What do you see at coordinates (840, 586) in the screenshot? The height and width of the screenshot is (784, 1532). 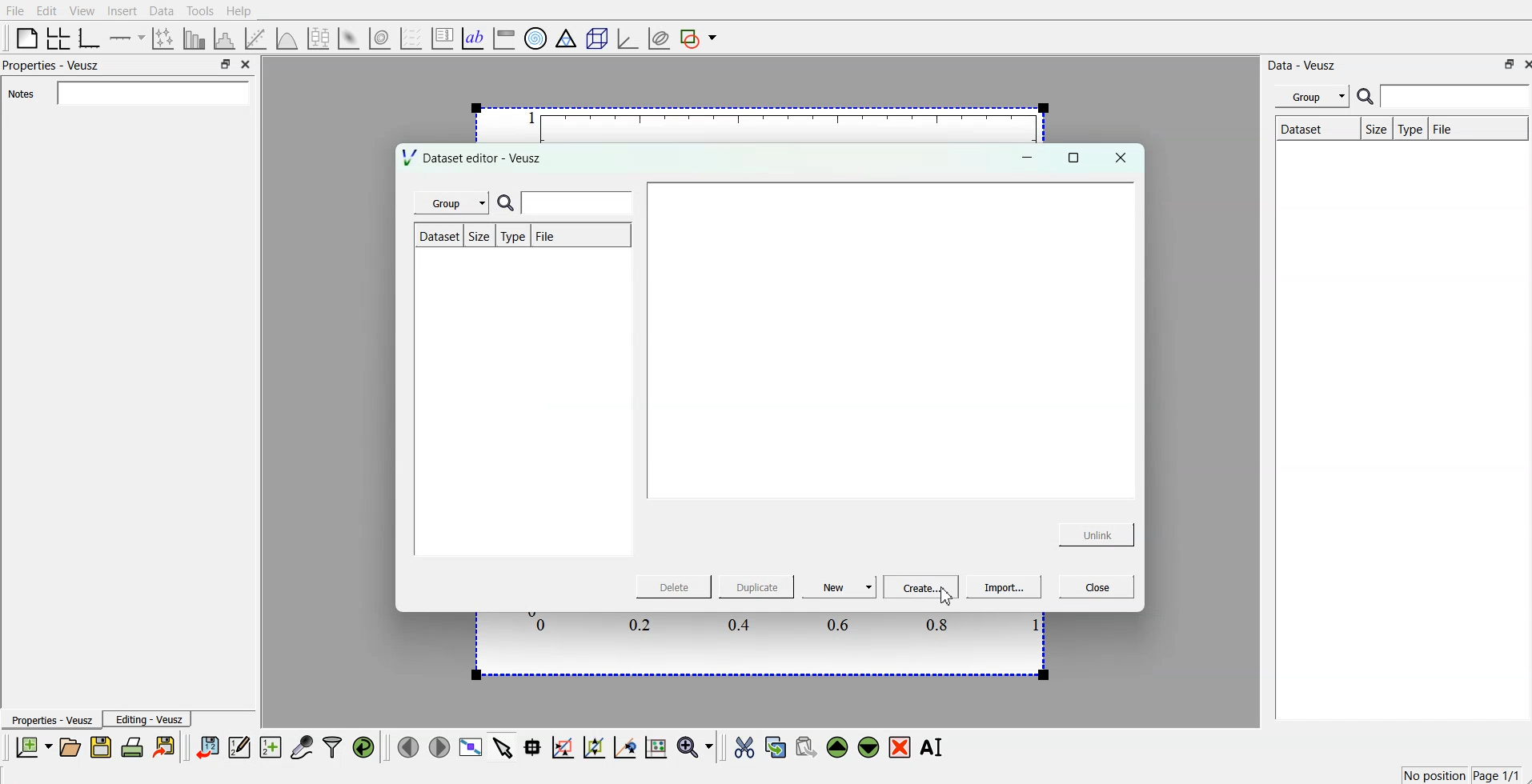 I see `New` at bounding box center [840, 586].